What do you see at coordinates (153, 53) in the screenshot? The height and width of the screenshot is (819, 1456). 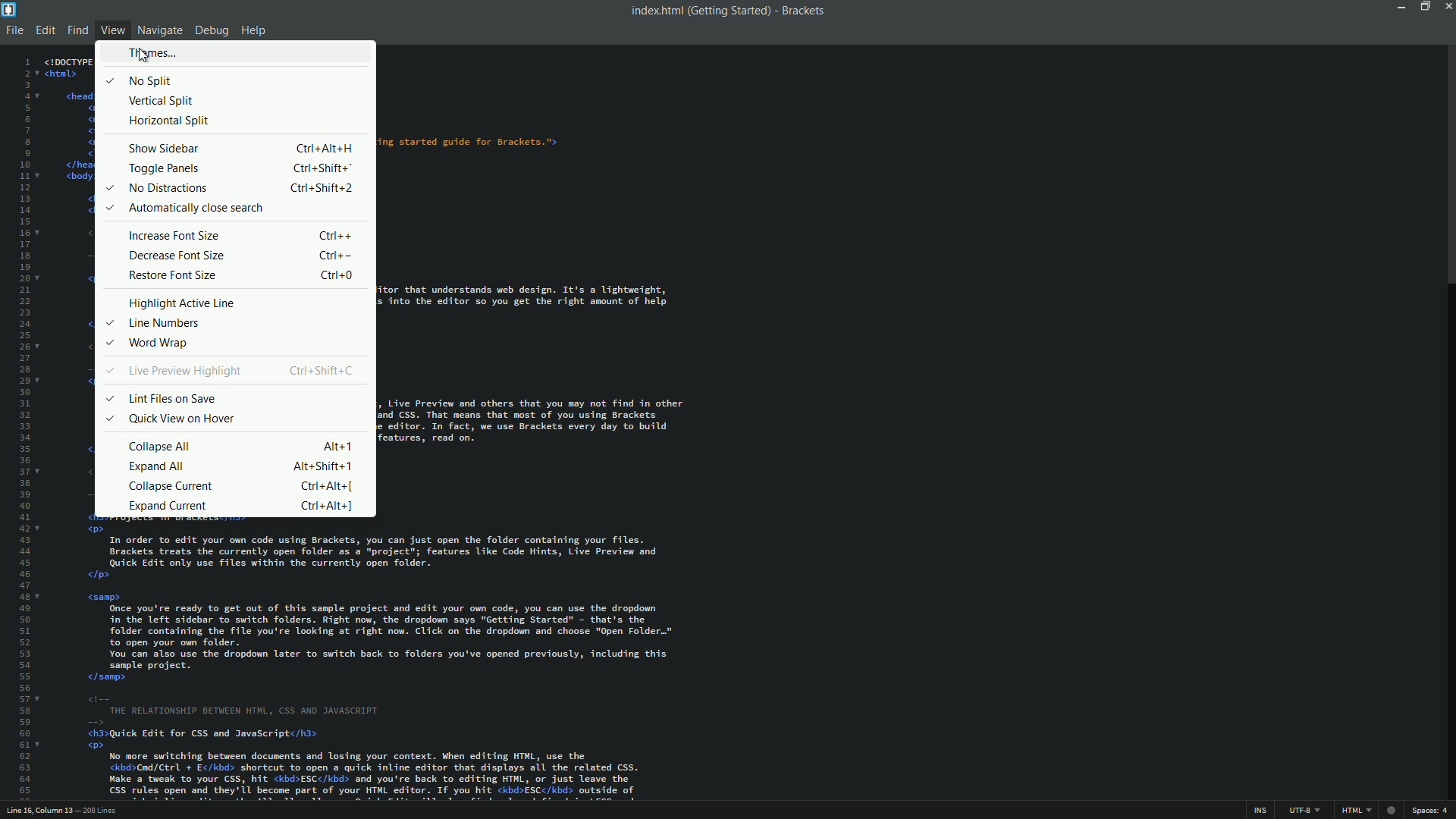 I see `themes` at bounding box center [153, 53].